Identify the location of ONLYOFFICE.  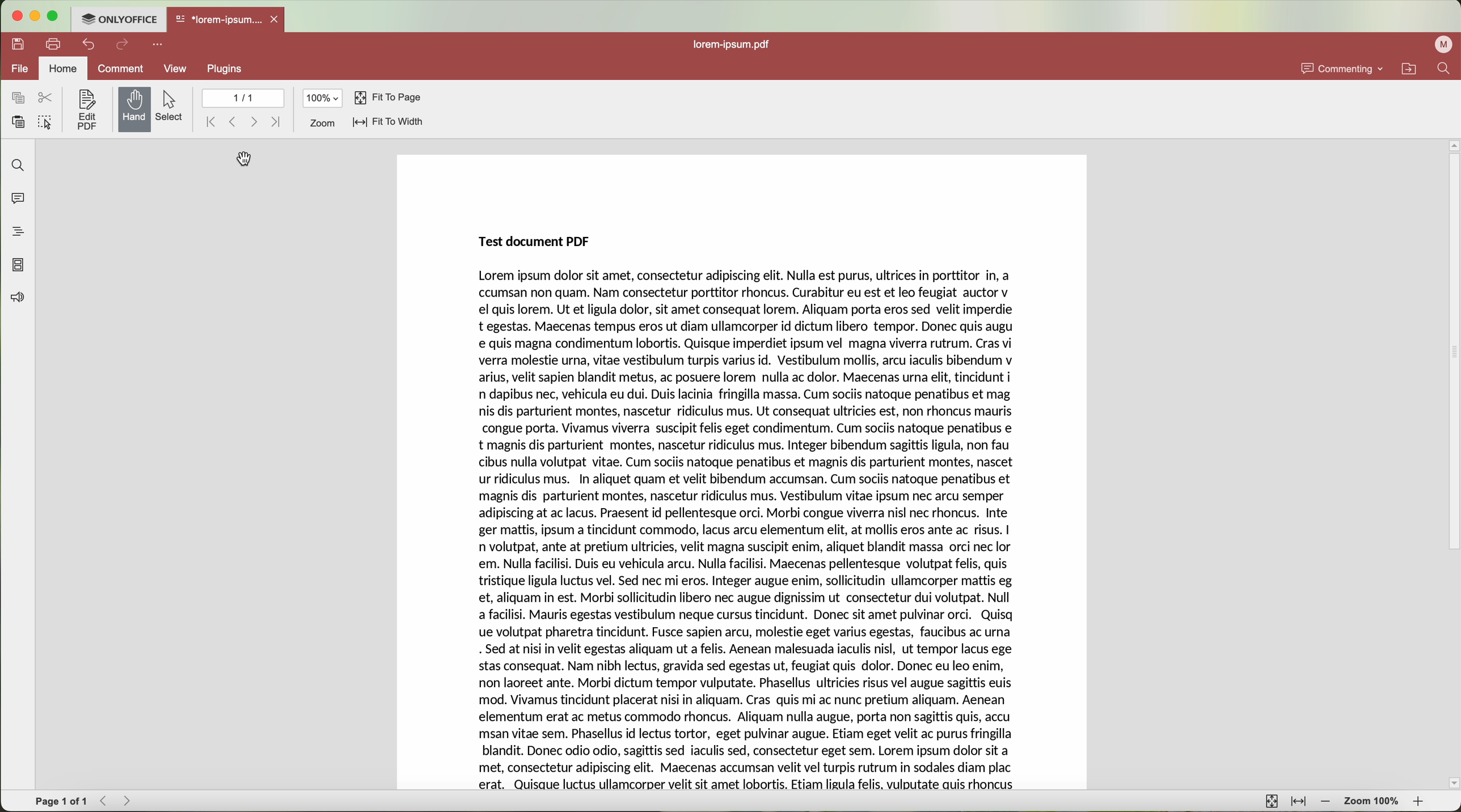
(119, 19).